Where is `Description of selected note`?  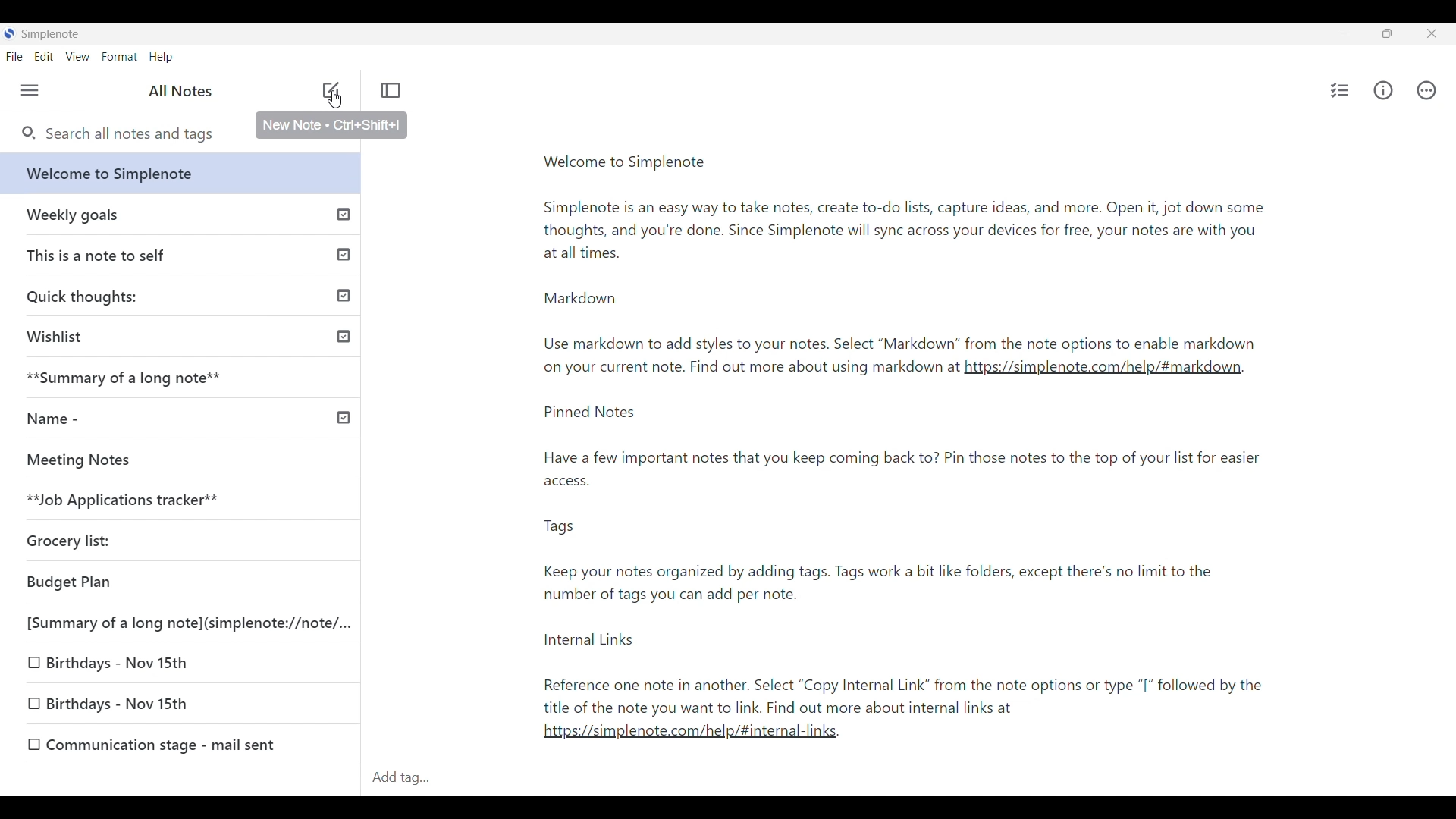 Description of selected note is located at coordinates (331, 126).